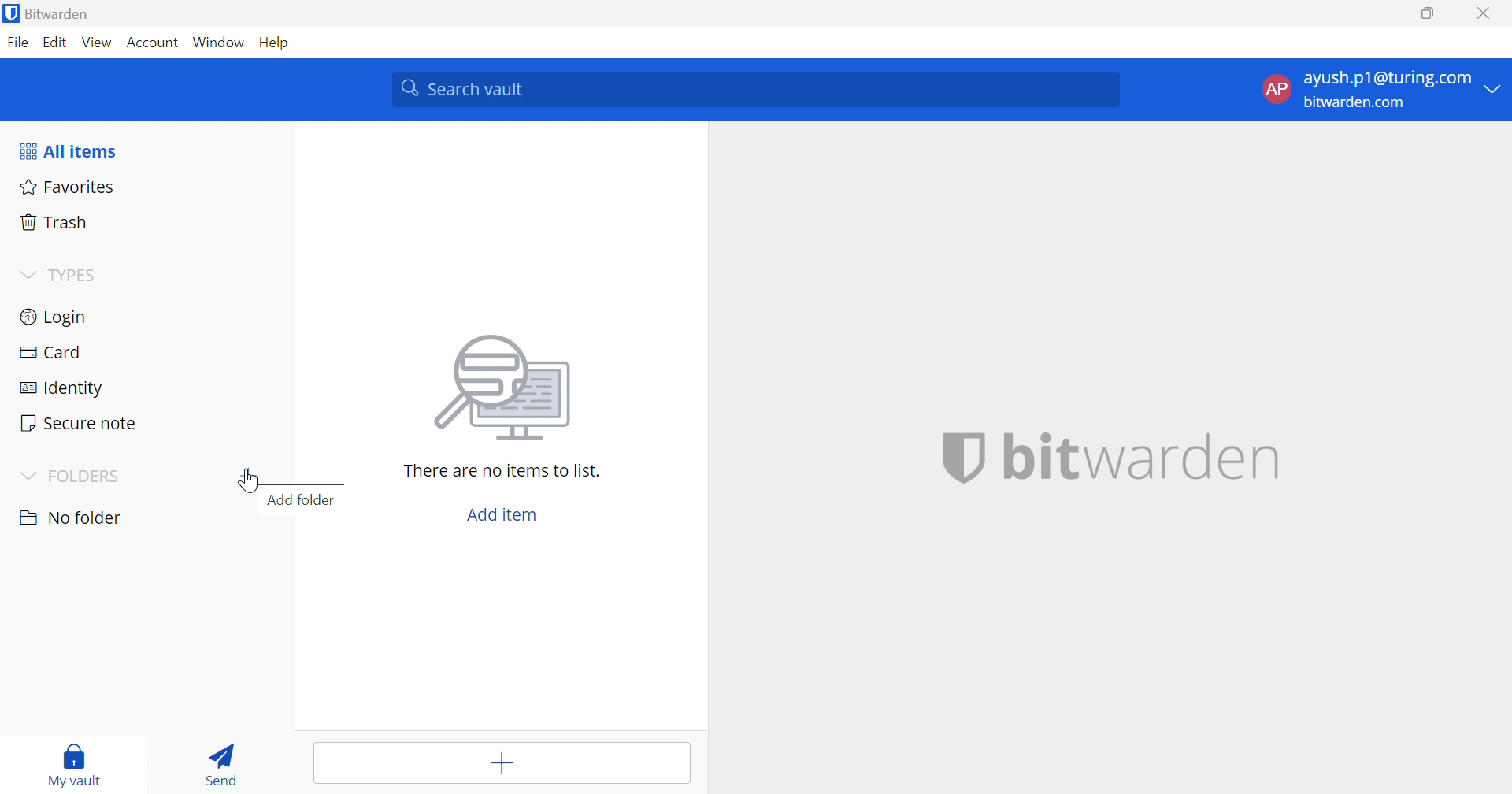  Describe the element at coordinates (499, 389) in the screenshot. I see `image` at that location.